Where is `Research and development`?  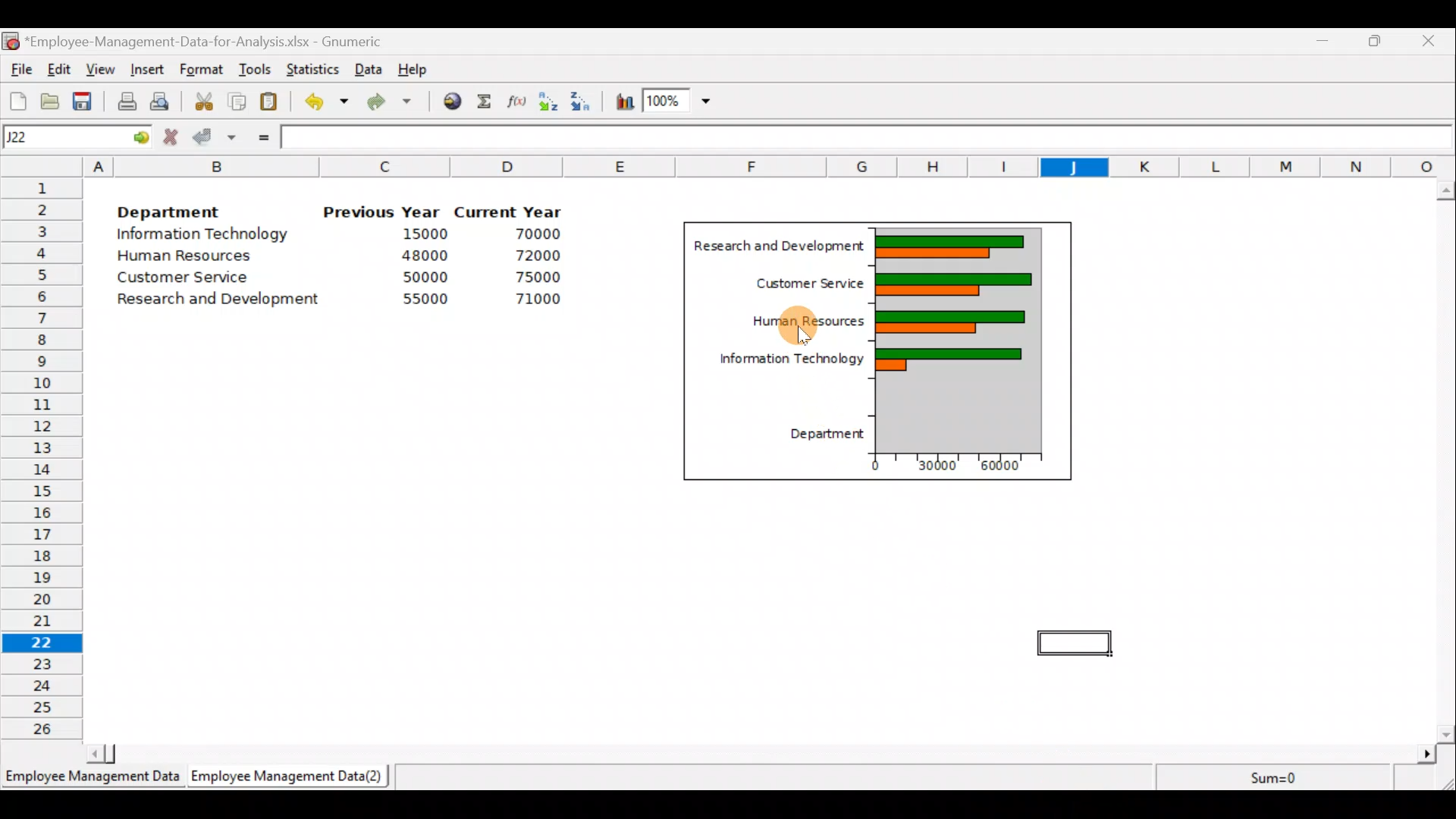
Research and development is located at coordinates (219, 297).